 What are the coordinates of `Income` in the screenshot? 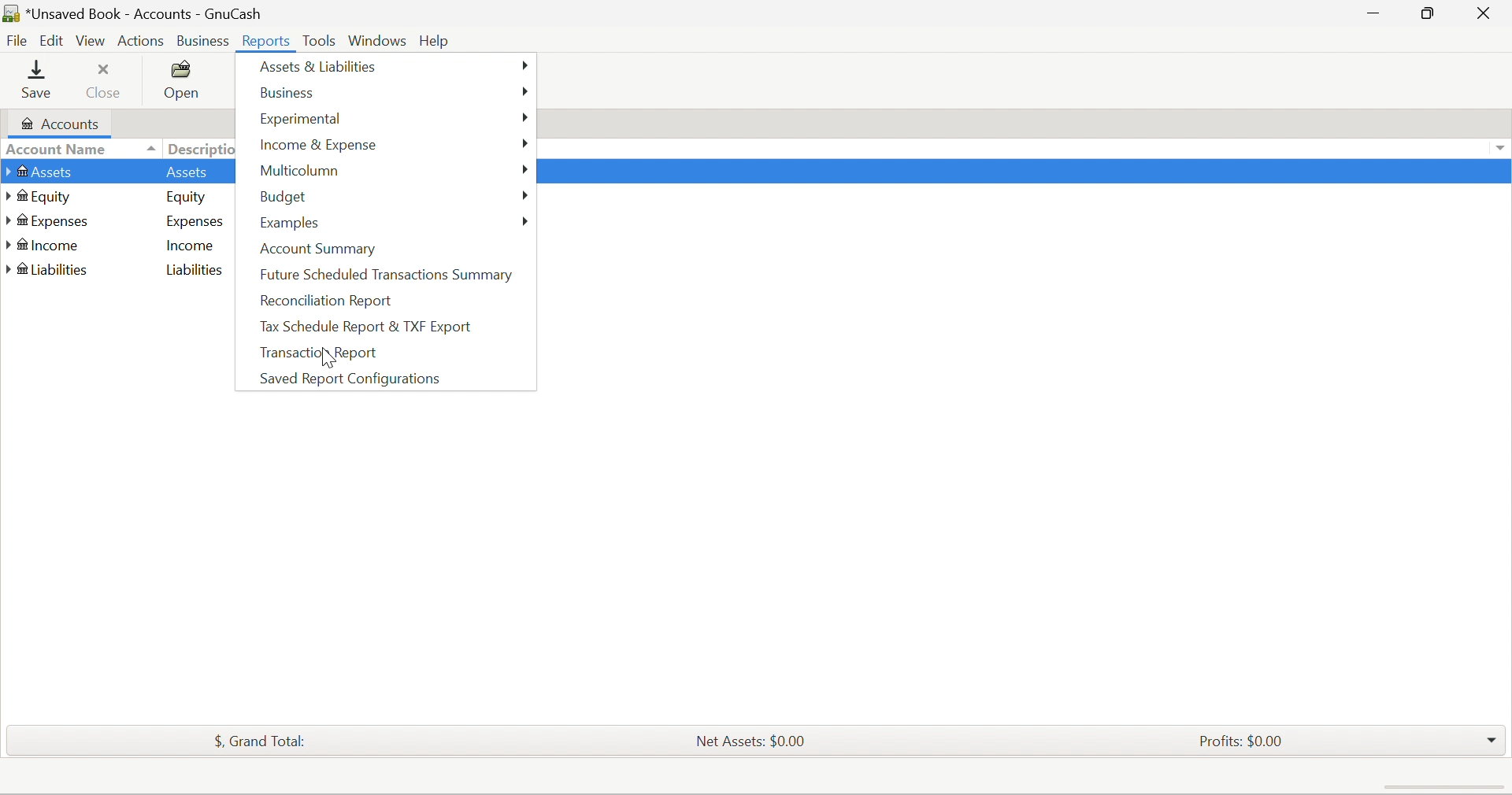 It's located at (44, 248).